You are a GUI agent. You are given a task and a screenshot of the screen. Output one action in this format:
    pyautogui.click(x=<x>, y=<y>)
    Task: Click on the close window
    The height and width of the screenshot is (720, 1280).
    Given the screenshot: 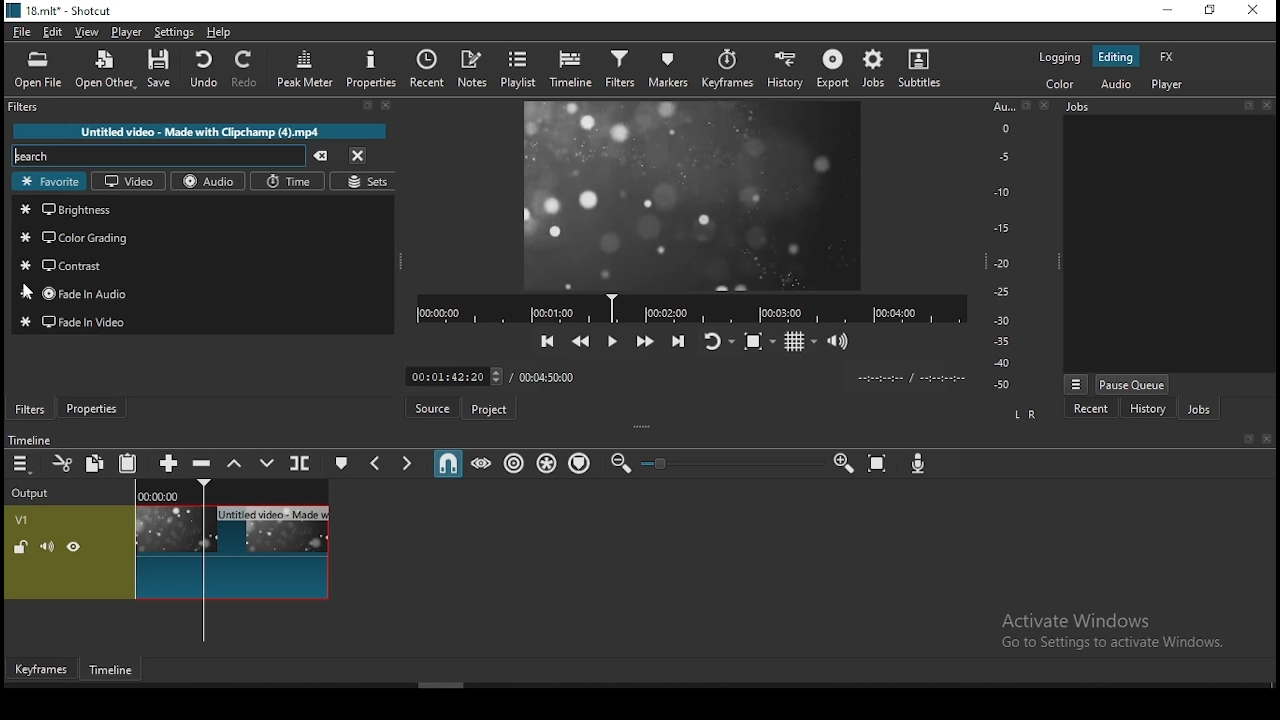 What is the action you would take?
    pyautogui.click(x=1250, y=12)
    